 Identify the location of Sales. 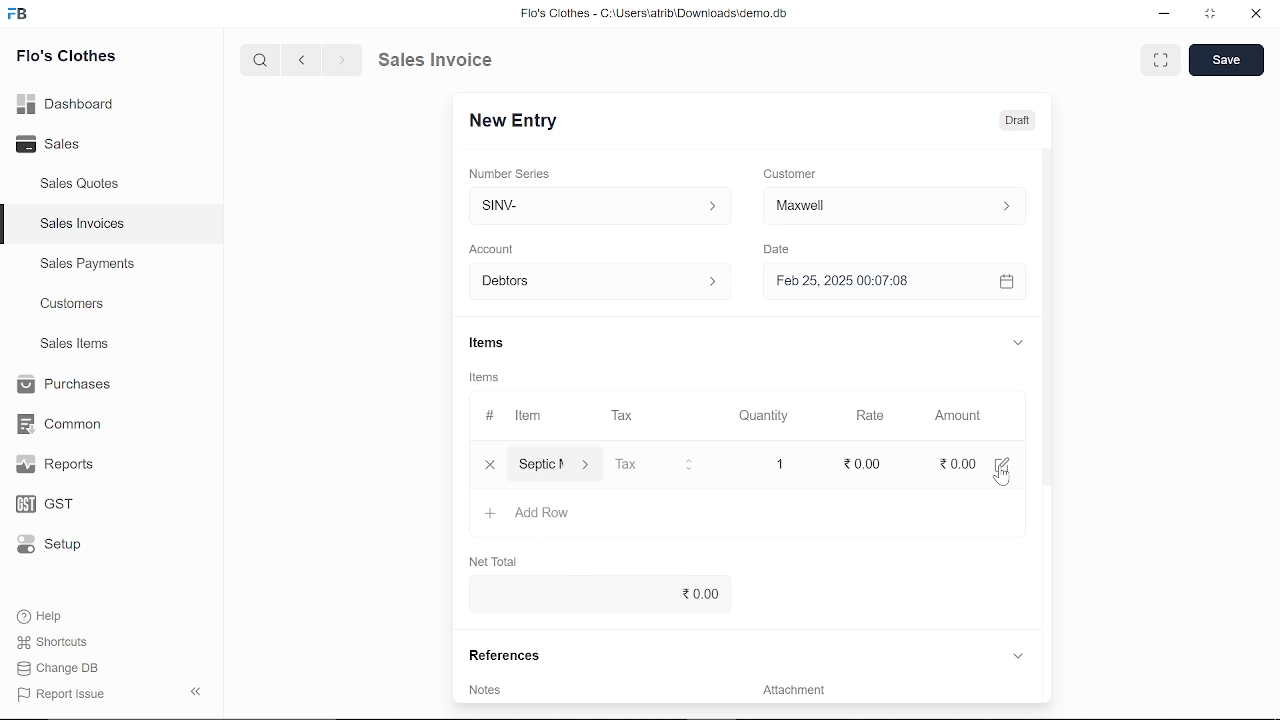
(57, 142).